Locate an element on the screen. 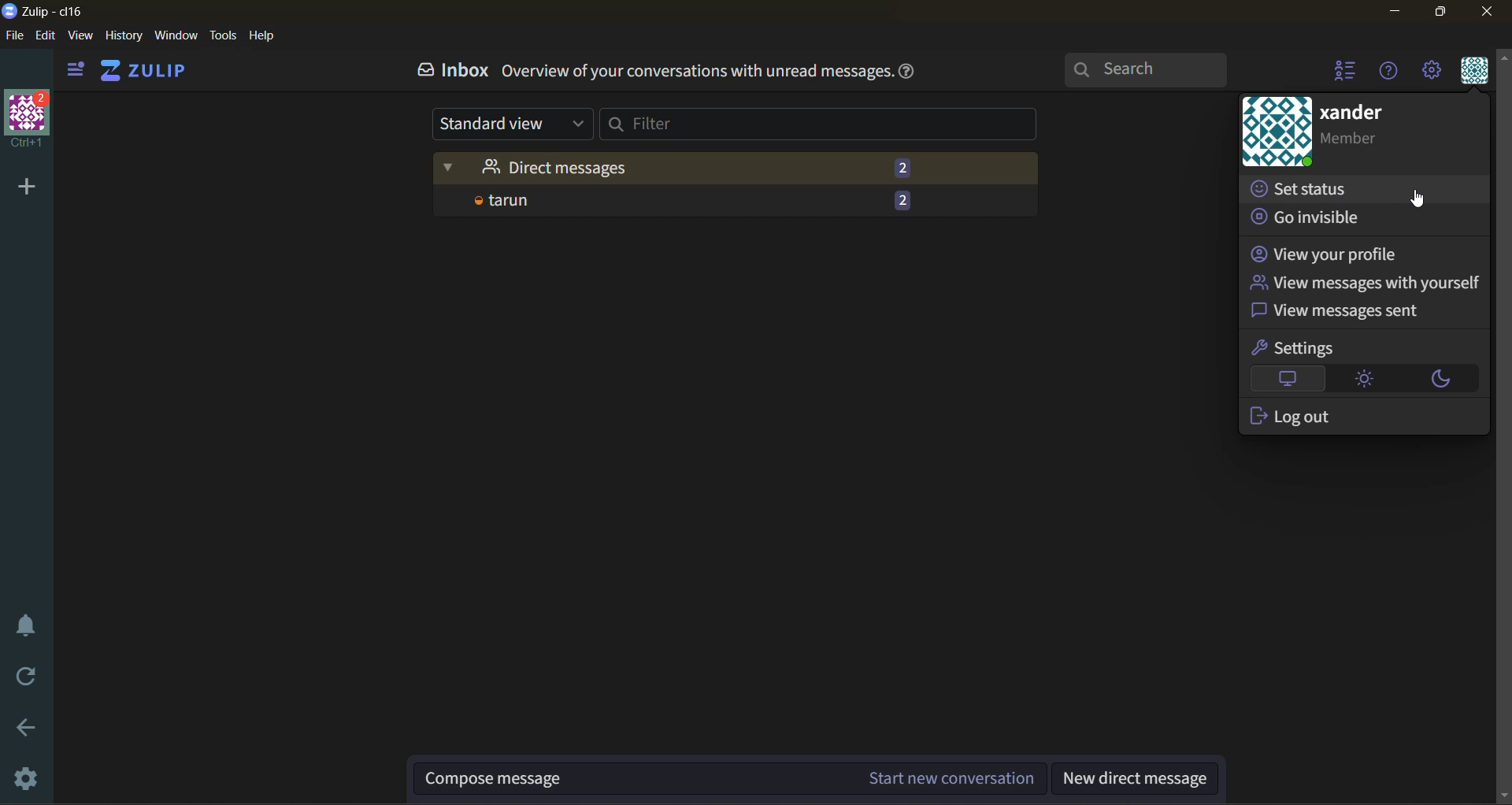 The height and width of the screenshot is (805, 1512). personal menu is located at coordinates (1474, 73).